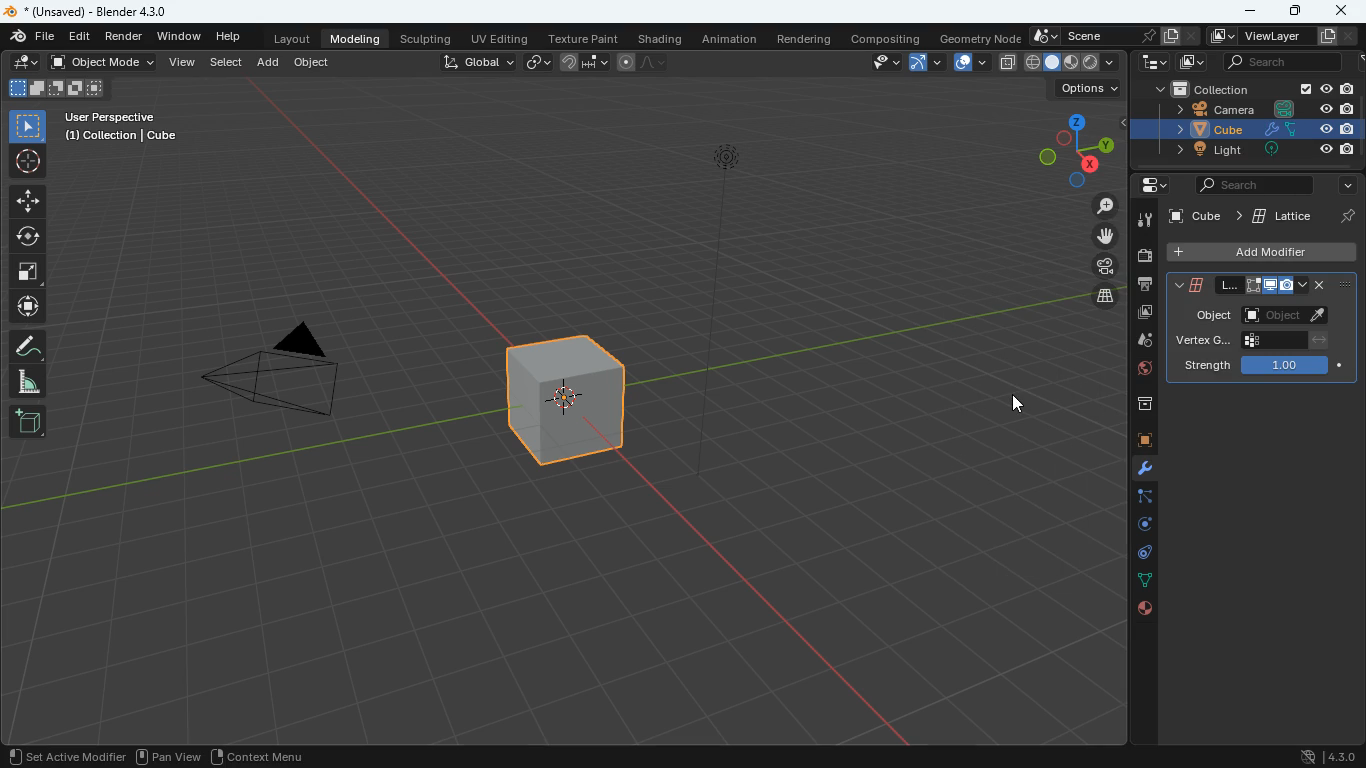  What do you see at coordinates (124, 36) in the screenshot?
I see `render` at bounding box center [124, 36].